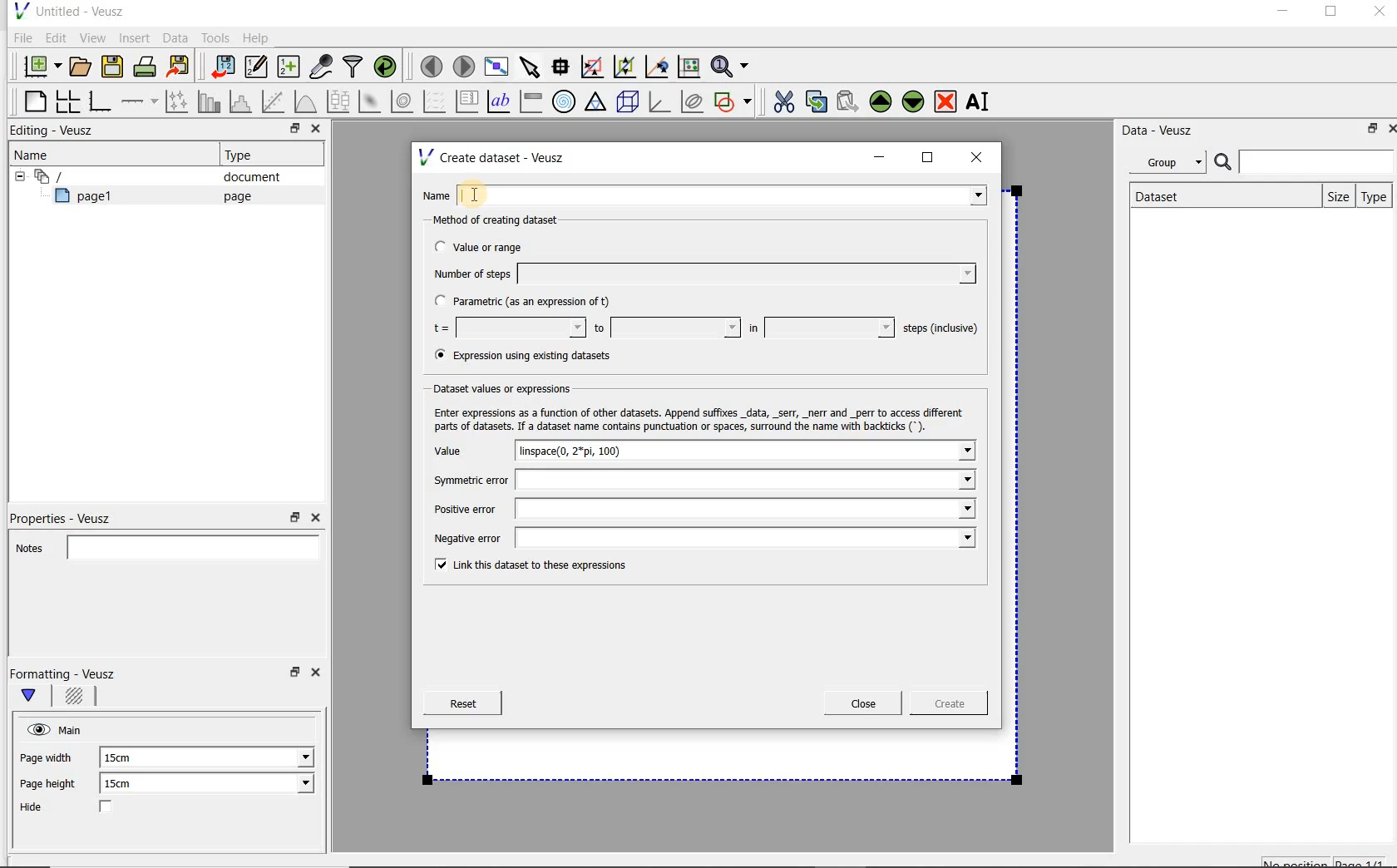 This screenshot has height=868, width=1397. I want to click on Create, so click(944, 706).